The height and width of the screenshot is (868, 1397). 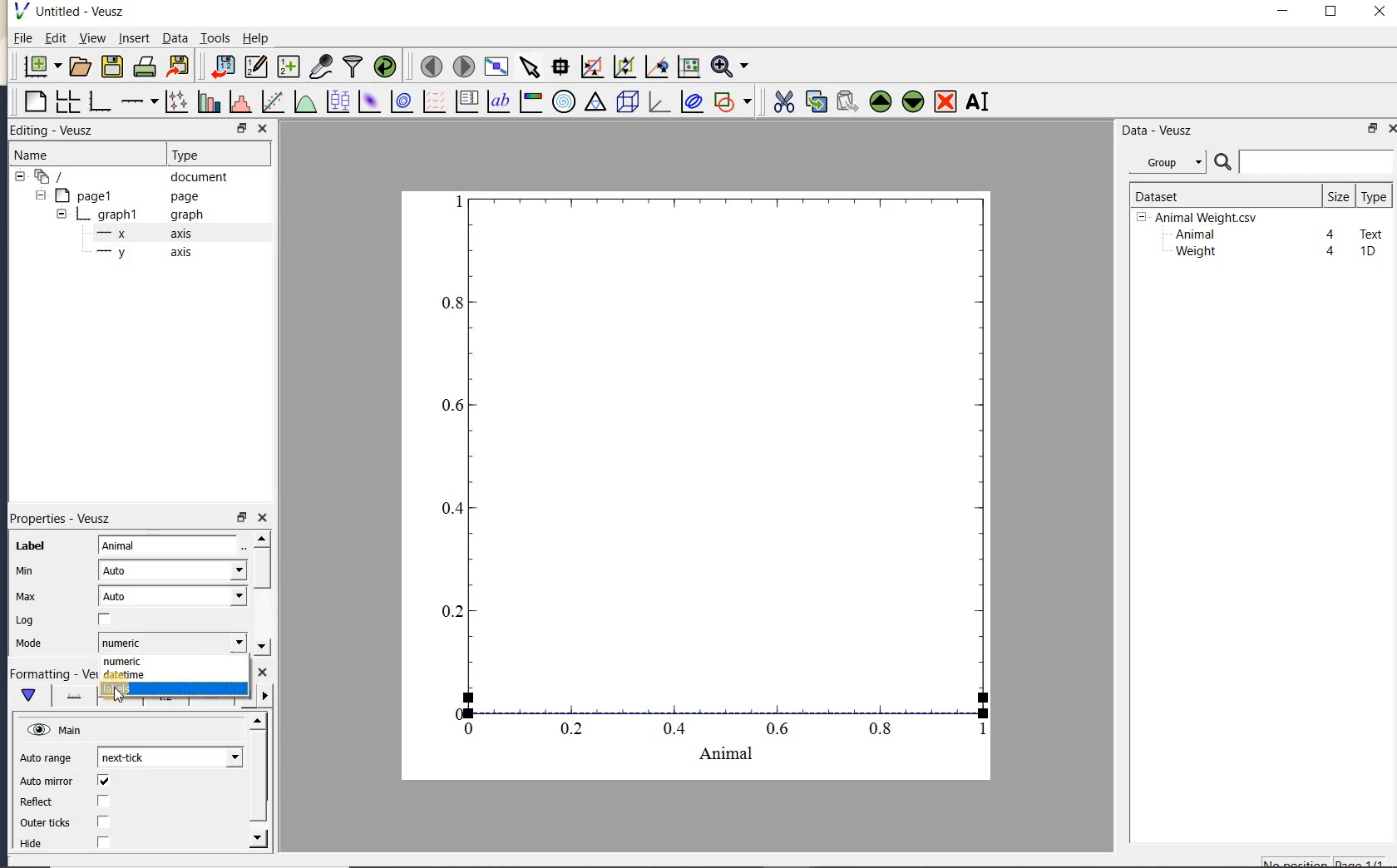 I want to click on Text, so click(x=1372, y=232).